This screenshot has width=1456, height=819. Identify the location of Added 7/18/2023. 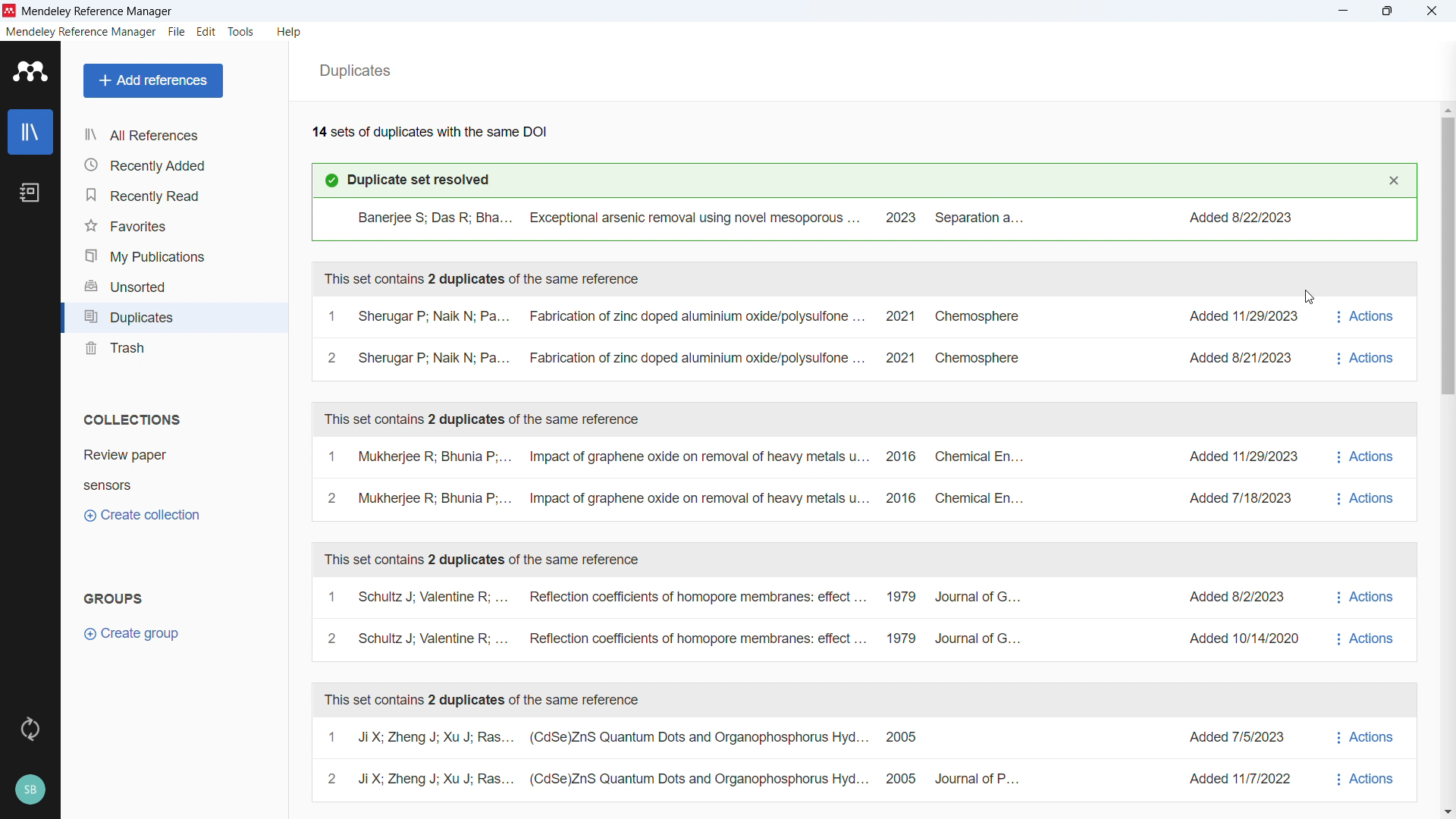
(1238, 498).